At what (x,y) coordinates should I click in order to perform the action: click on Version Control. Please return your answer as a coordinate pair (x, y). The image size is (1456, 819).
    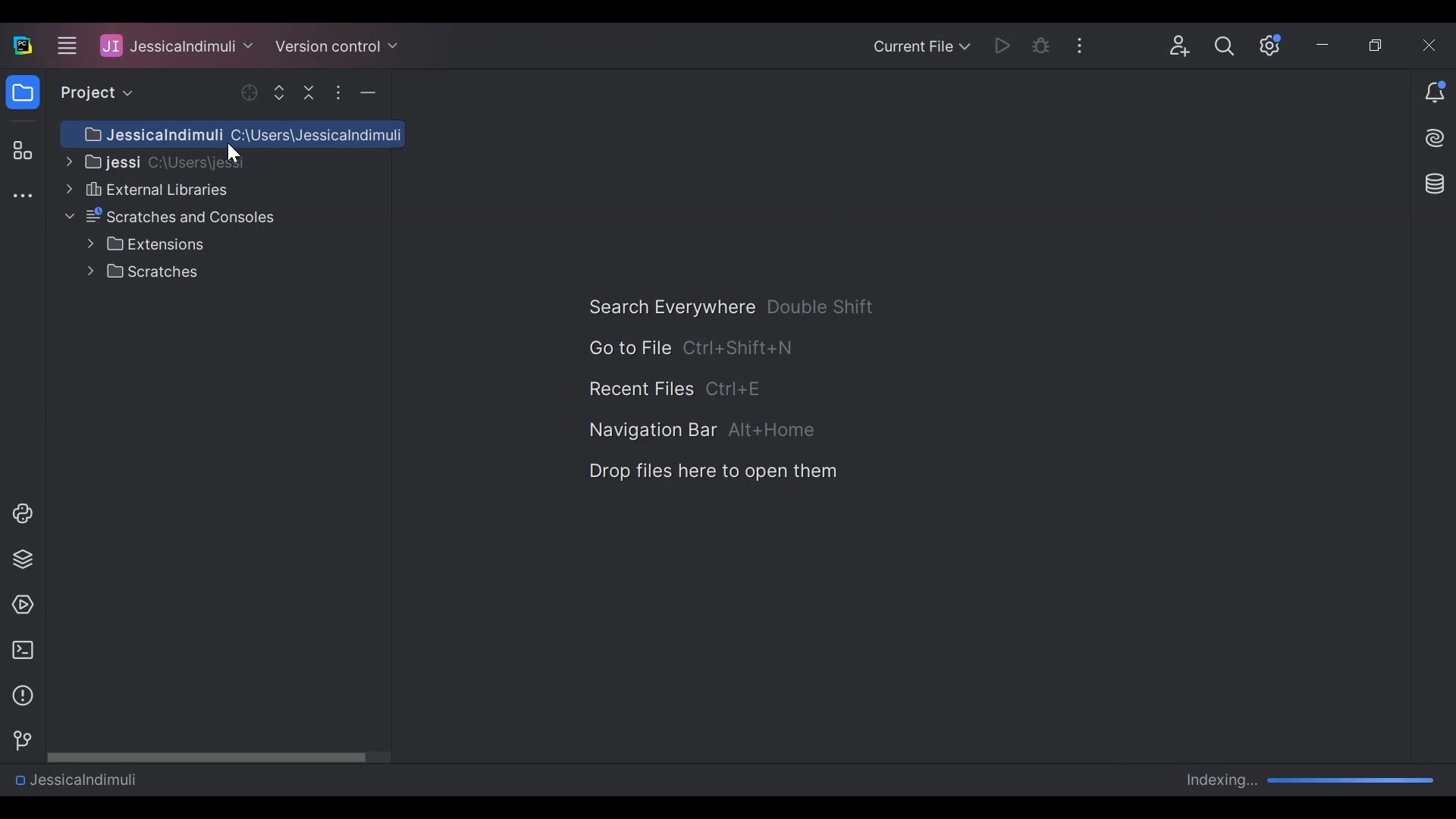
    Looking at the image, I should click on (337, 45).